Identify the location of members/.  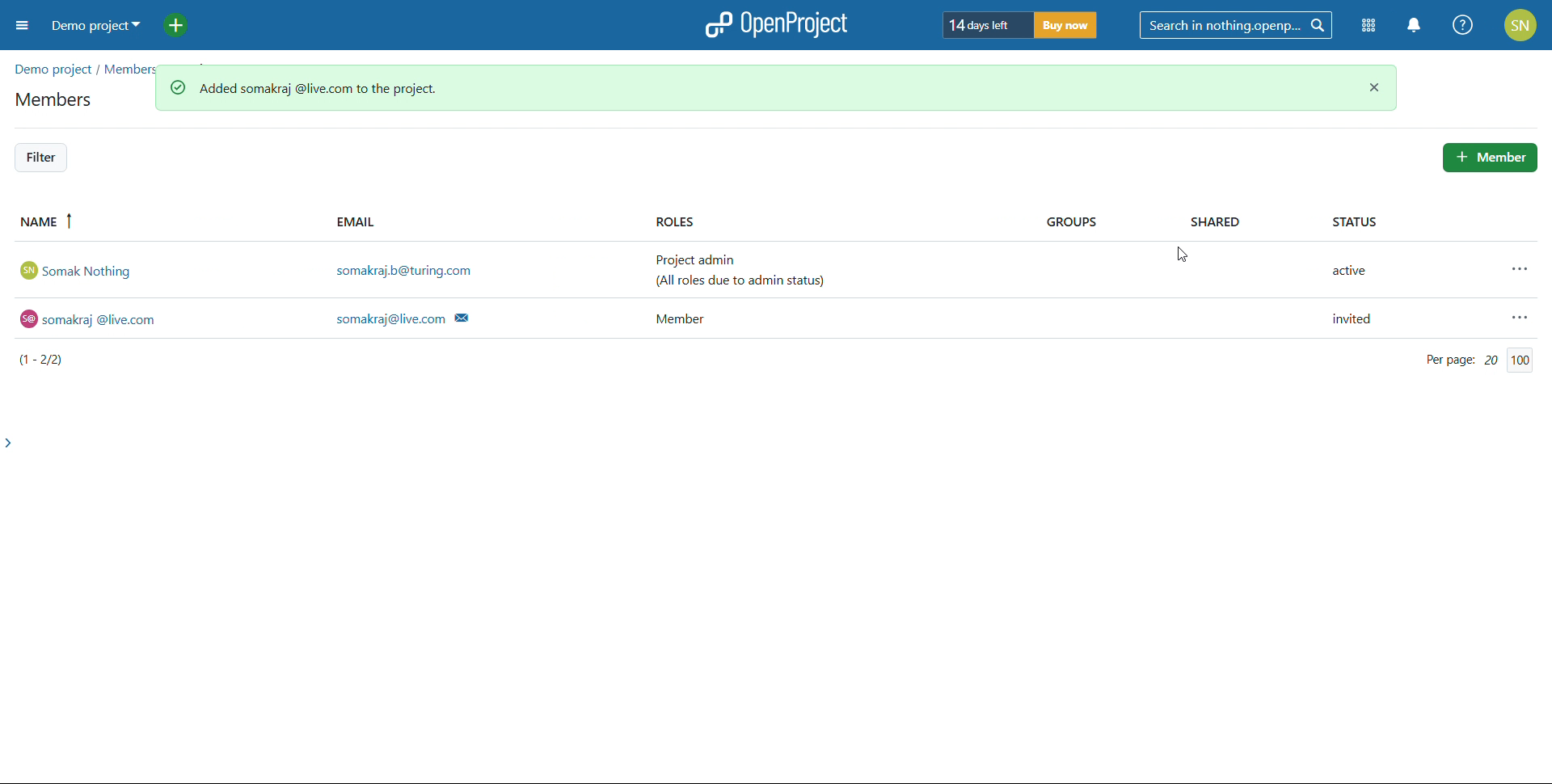
(129, 66).